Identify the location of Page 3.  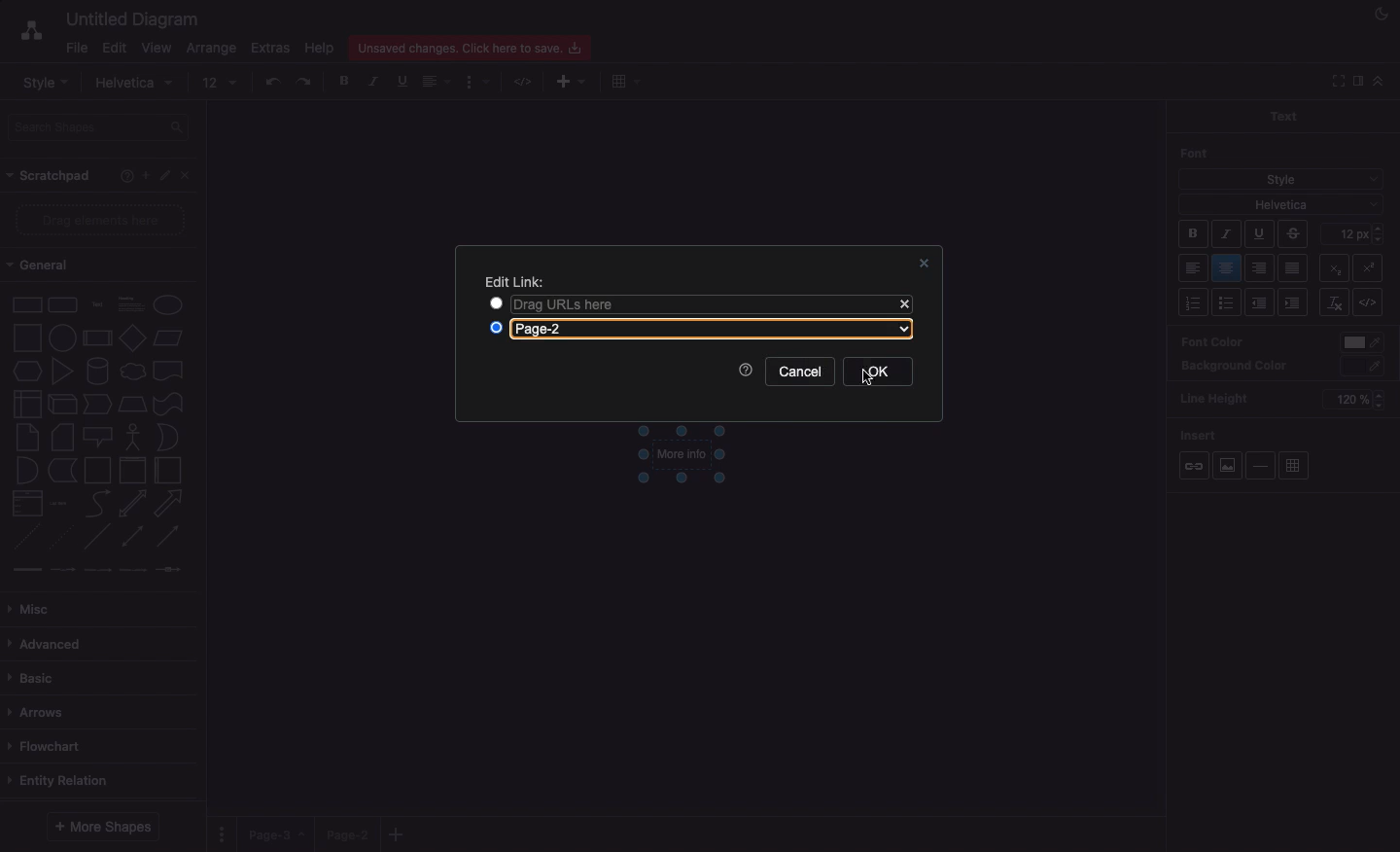
(274, 834).